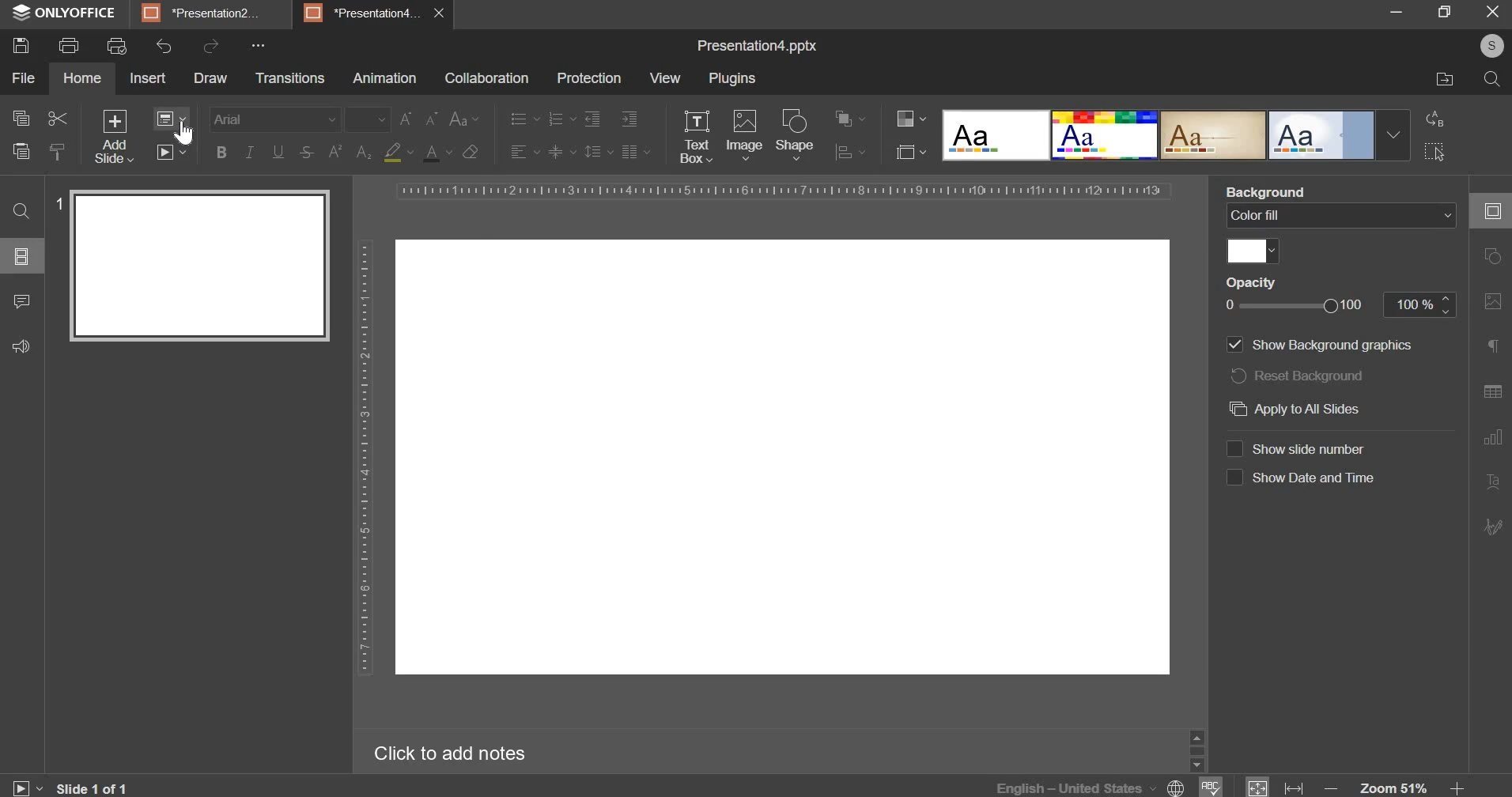 The image size is (1512, 797). I want to click on slides, so click(20, 257).